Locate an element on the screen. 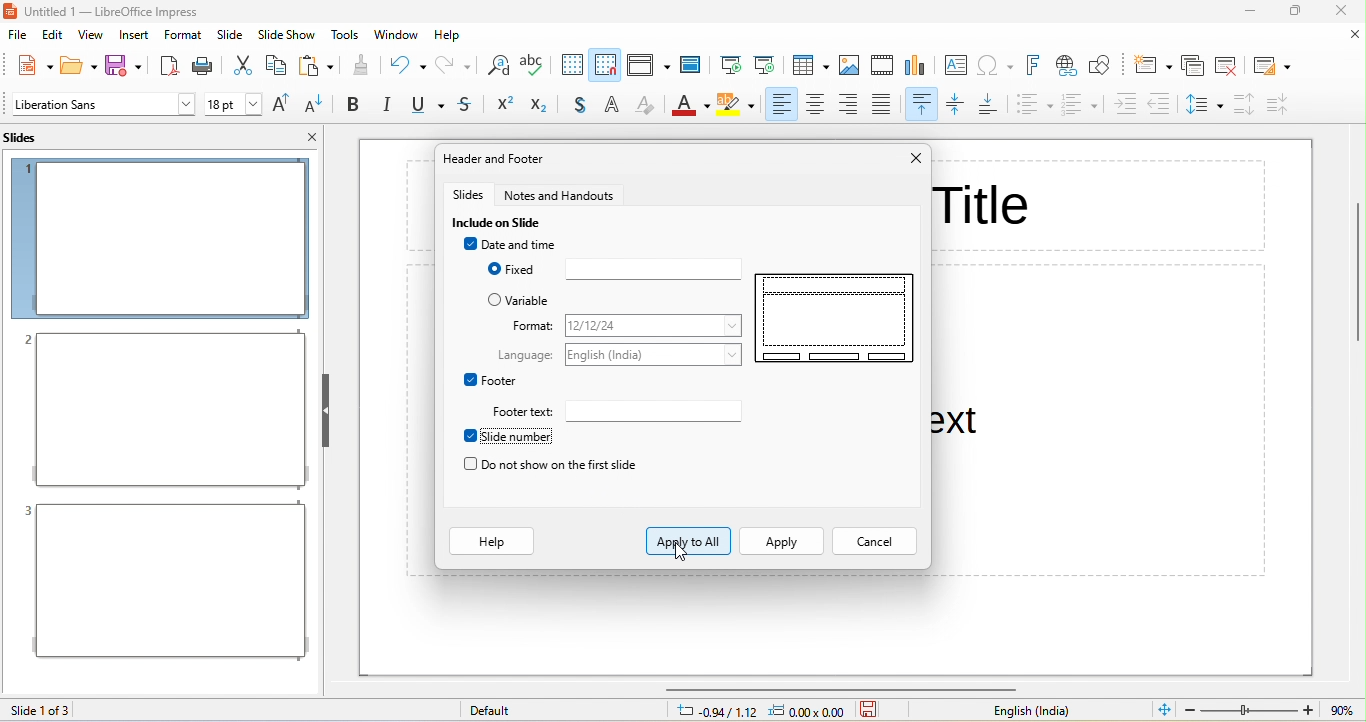 This screenshot has height=722, width=1366. apply outline attribute to font  is located at coordinates (615, 105).